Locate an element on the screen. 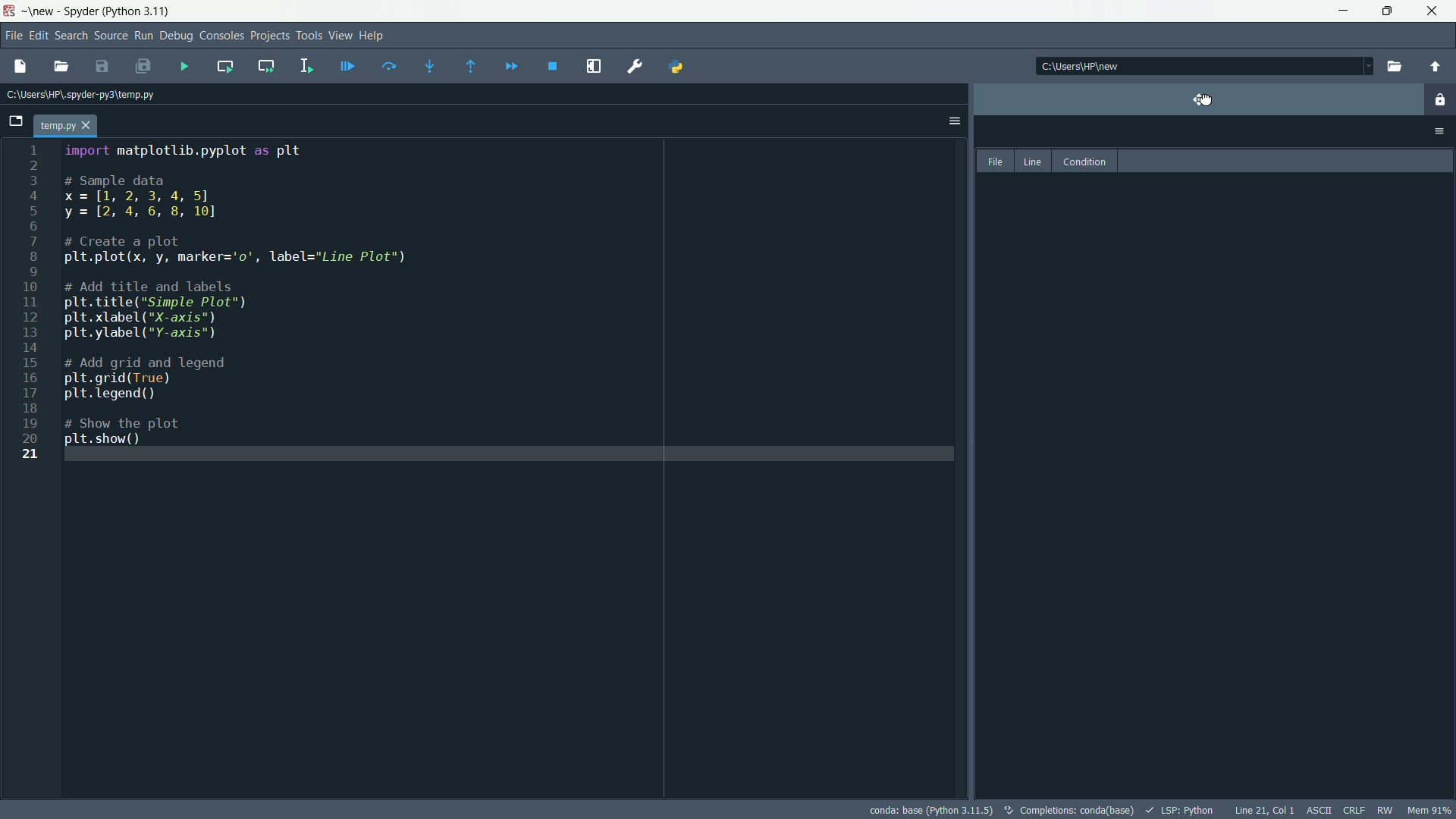 The image size is (1456, 819). app name is located at coordinates (83, 12).